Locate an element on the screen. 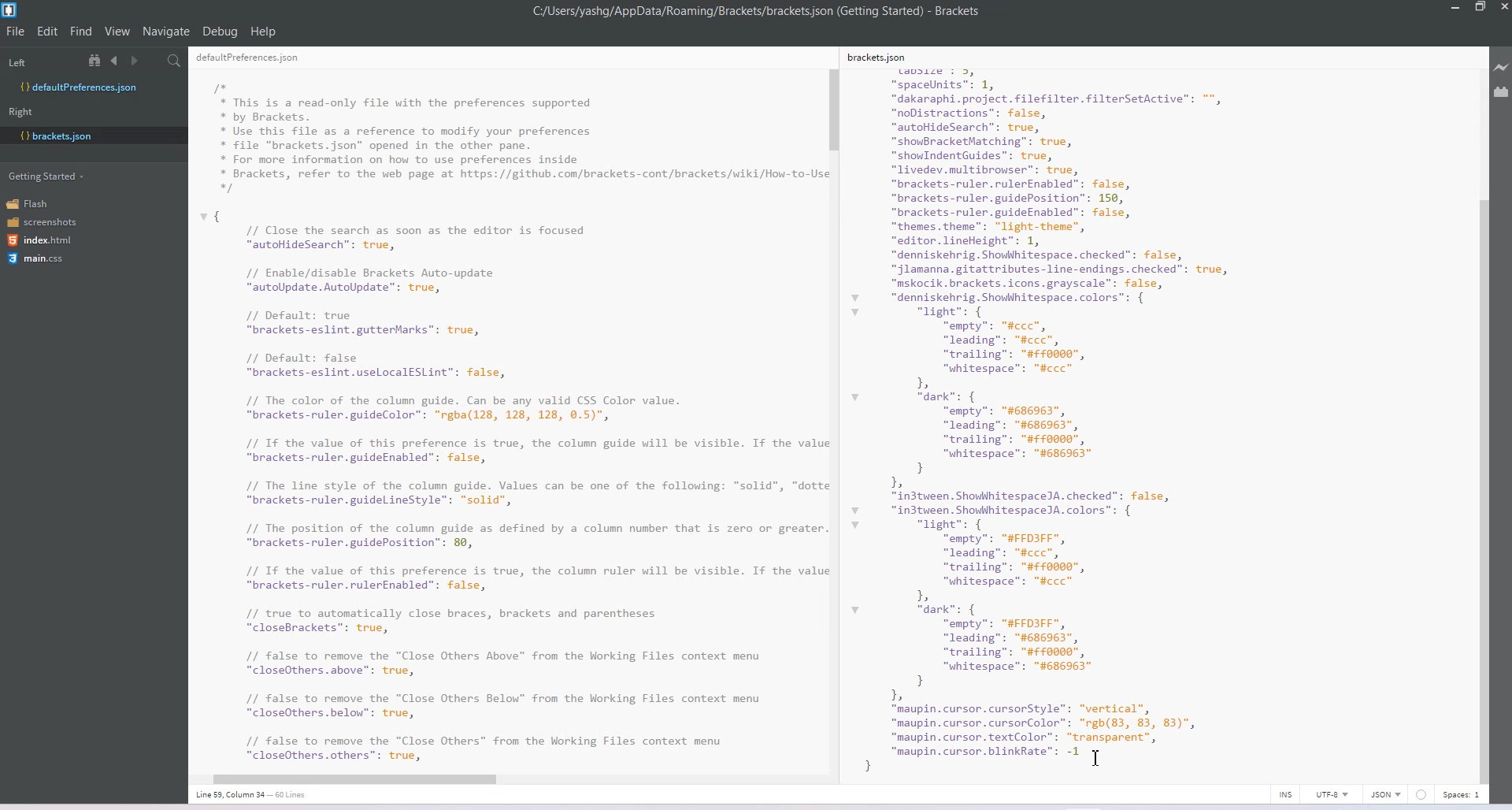  Minimize is located at coordinates (1457, 8).